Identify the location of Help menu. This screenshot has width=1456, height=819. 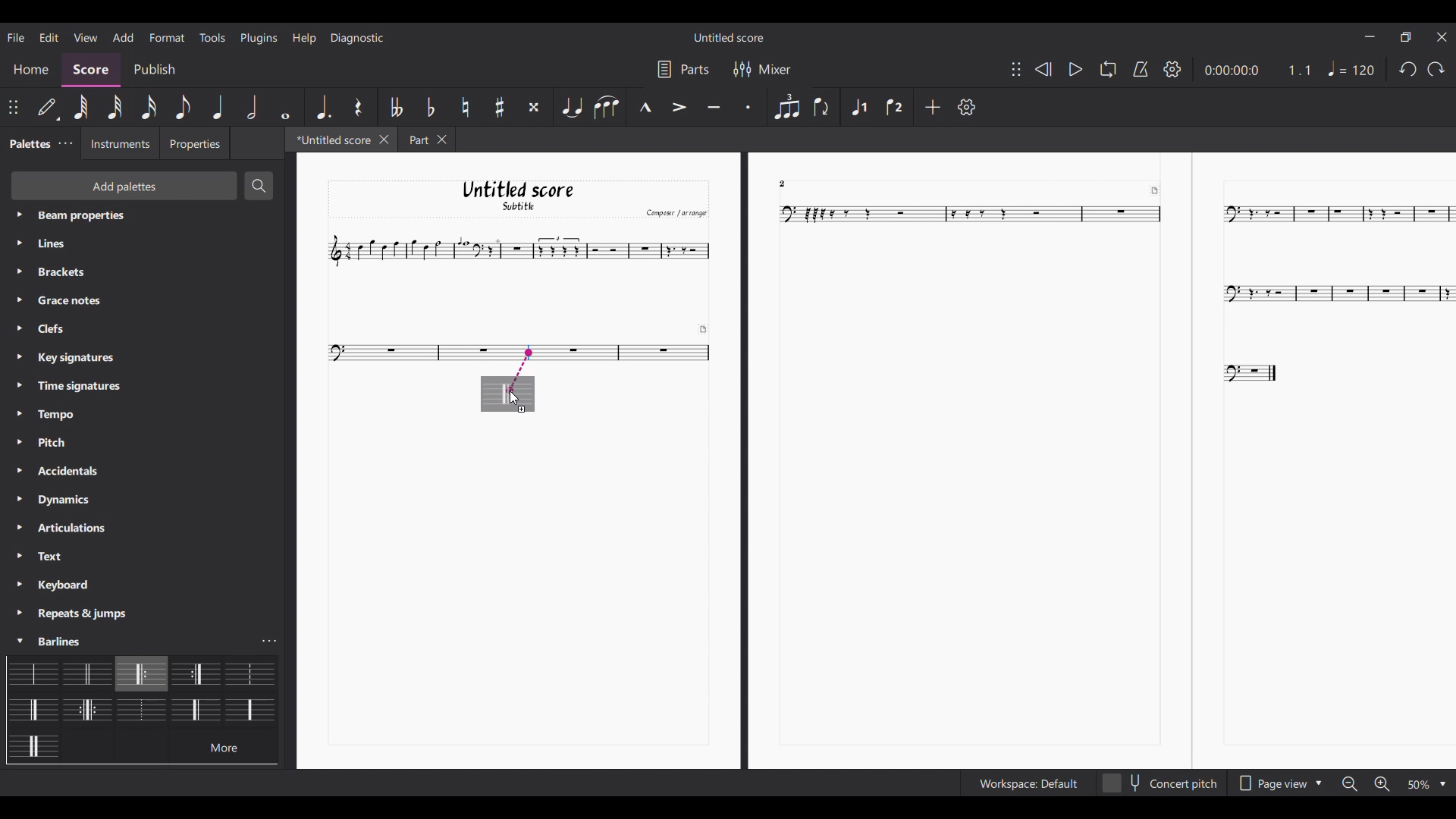
(304, 38).